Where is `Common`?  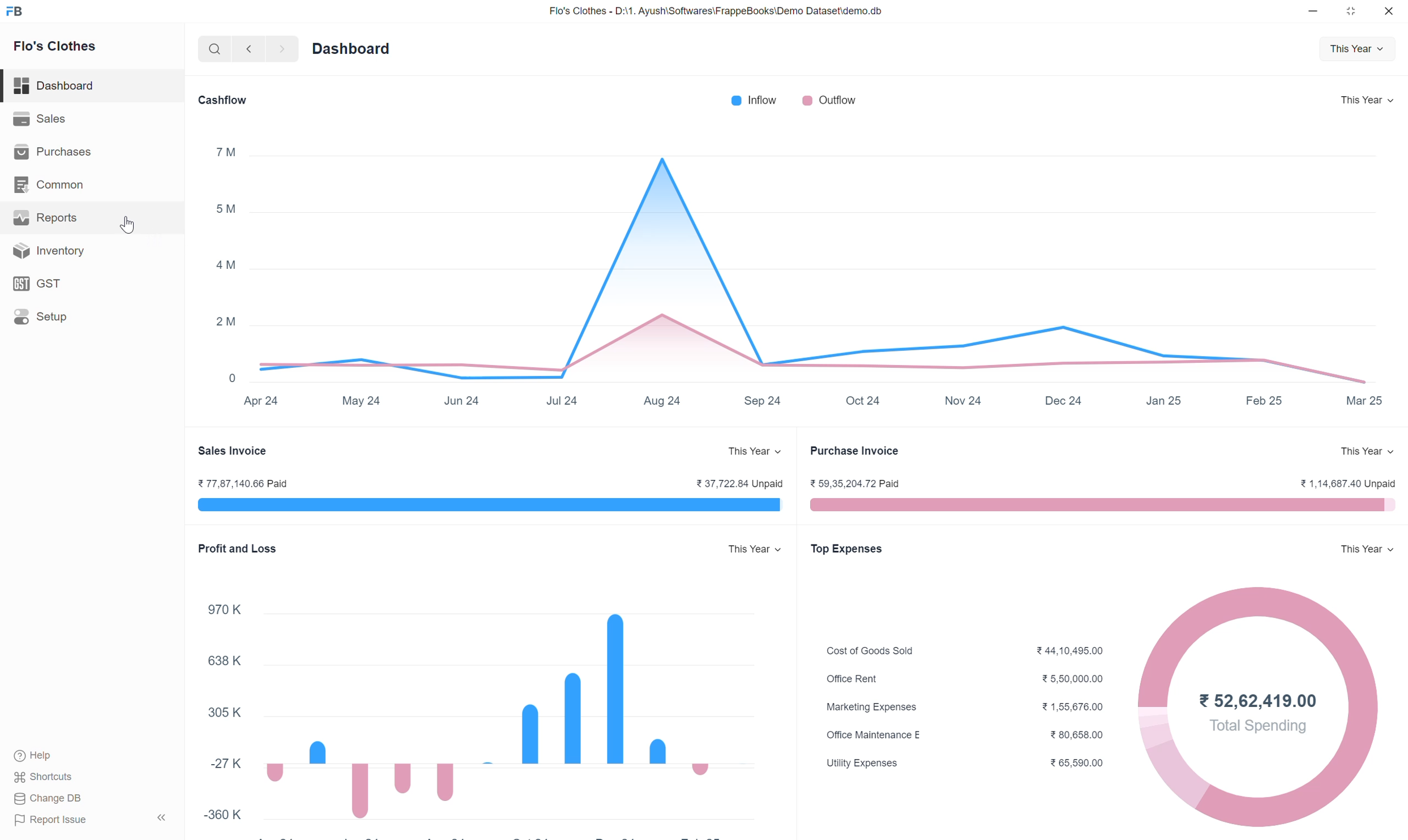
Common is located at coordinates (65, 186).